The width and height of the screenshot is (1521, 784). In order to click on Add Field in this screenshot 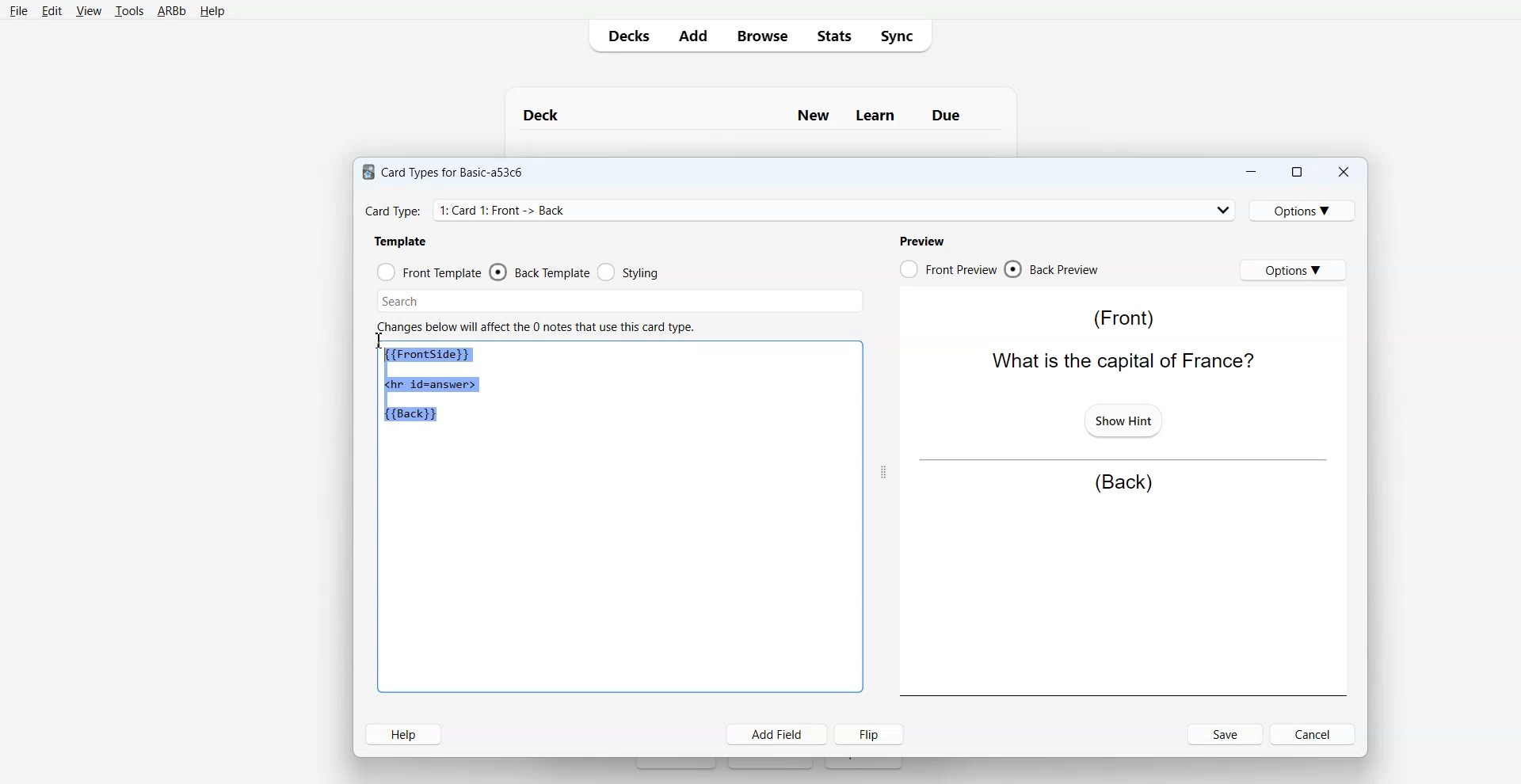, I will do `click(777, 734)`.